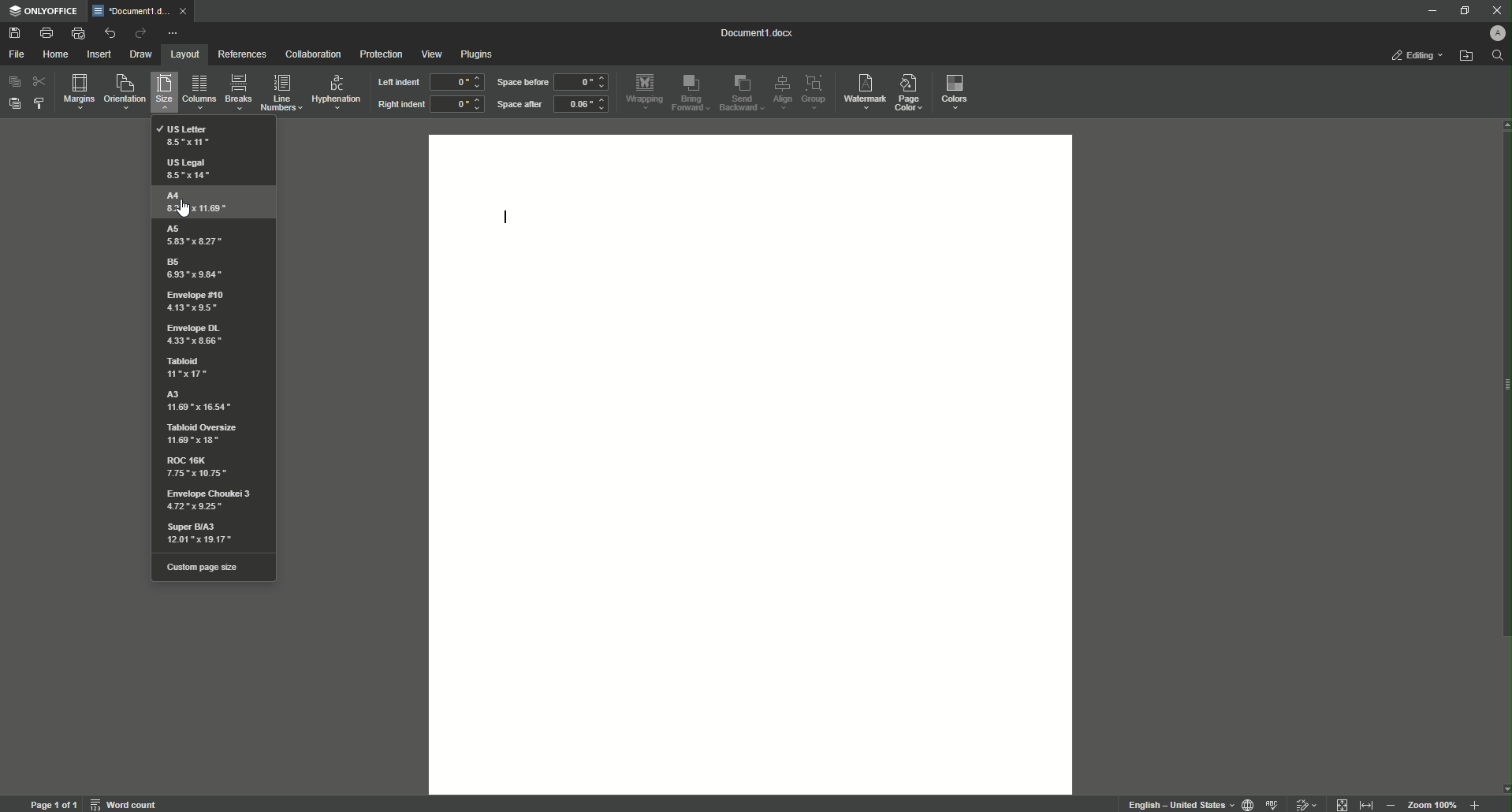 The image size is (1512, 812). I want to click on B5, so click(196, 267).